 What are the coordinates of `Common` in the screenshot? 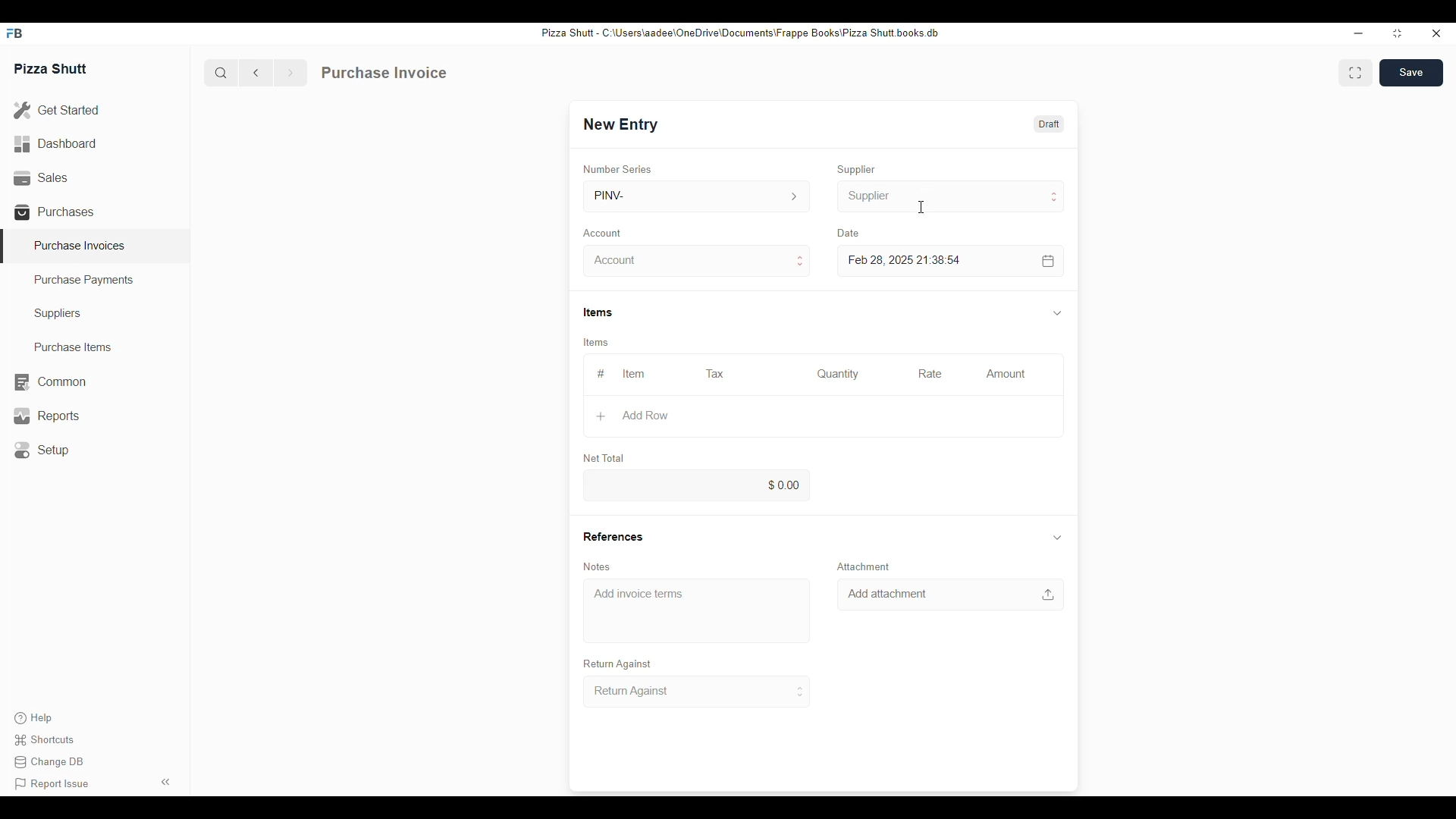 It's located at (49, 382).